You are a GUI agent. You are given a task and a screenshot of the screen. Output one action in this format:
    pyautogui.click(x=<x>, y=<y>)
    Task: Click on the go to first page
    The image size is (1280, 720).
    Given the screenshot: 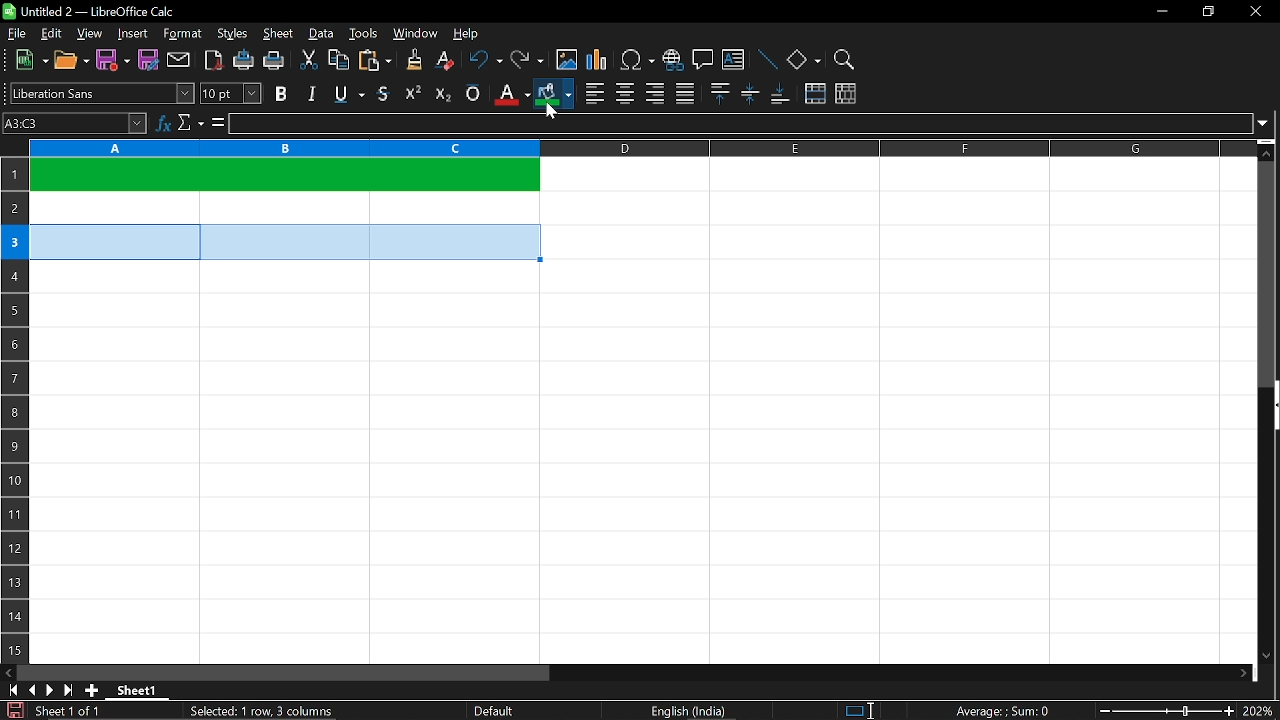 What is the action you would take?
    pyautogui.click(x=10, y=691)
    